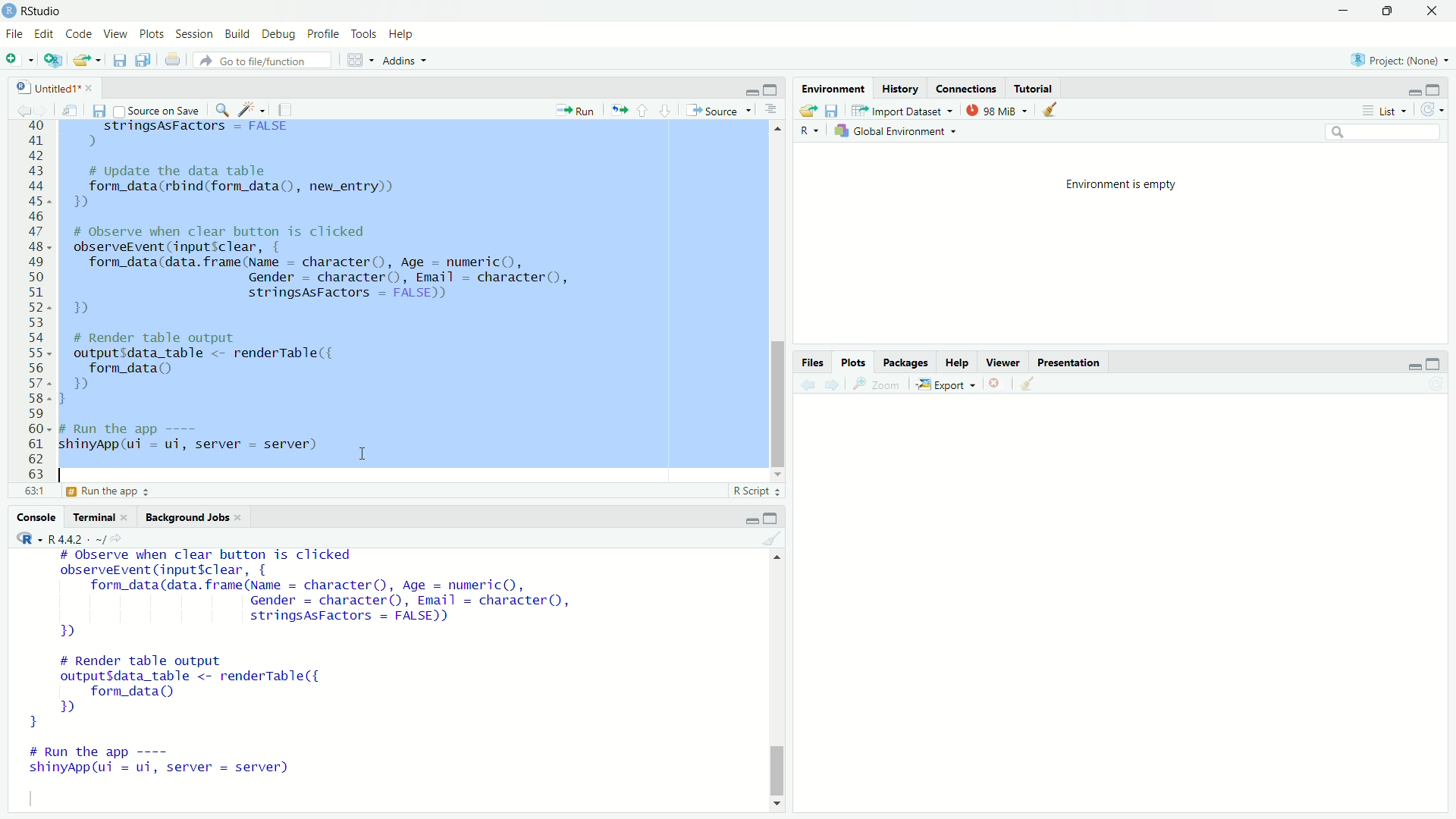 The height and width of the screenshot is (819, 1456). Describe the element at coordinates (962, 88) in the screenshot. I see `connections` at that location.